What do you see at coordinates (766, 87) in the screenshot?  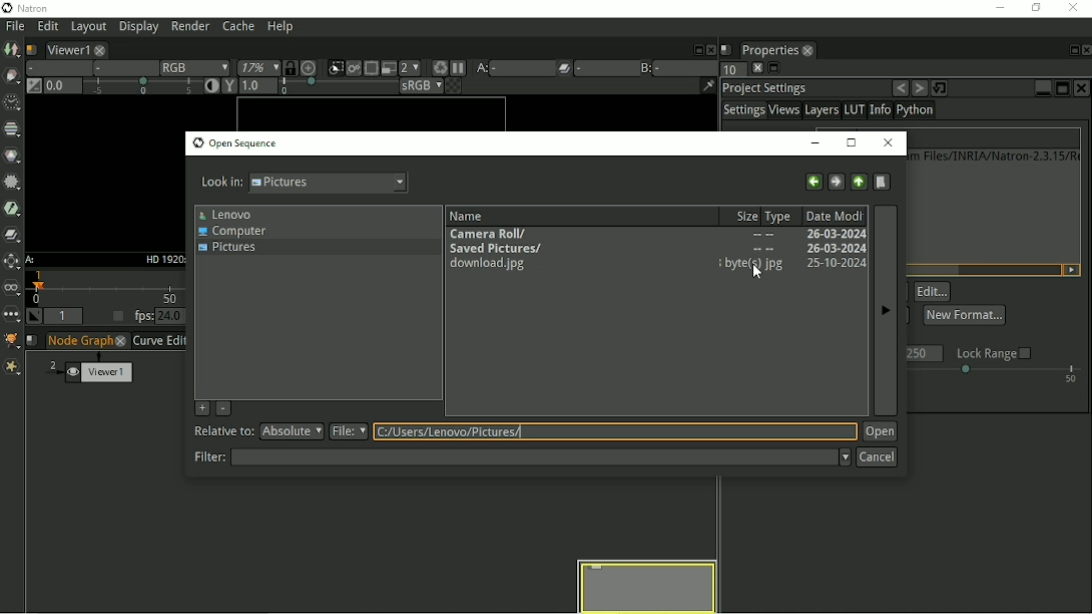 I see `Project settings` at bounding box center [766, 87].